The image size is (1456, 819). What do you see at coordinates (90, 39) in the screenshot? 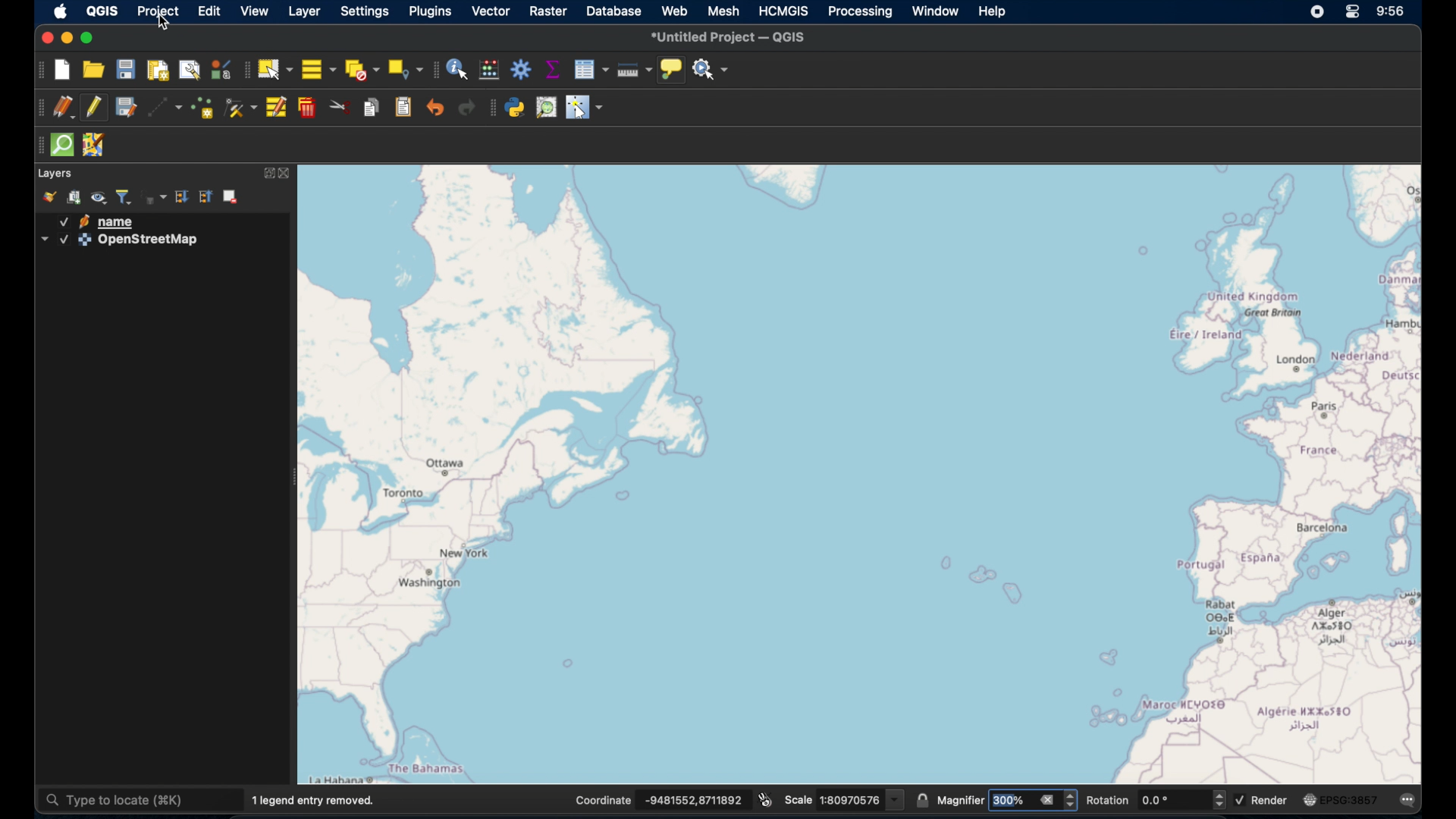
I see `maximize` at bounding box center [90, 39].